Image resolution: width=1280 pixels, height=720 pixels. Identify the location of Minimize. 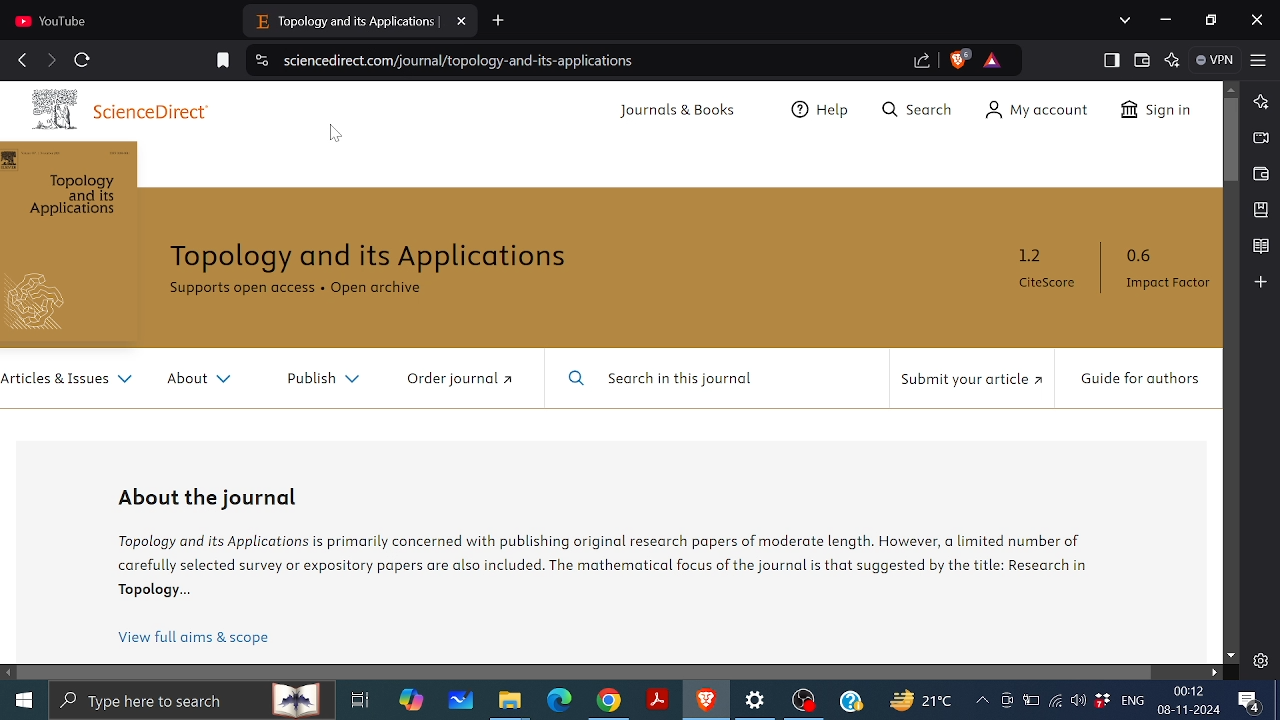
(1164, 18).